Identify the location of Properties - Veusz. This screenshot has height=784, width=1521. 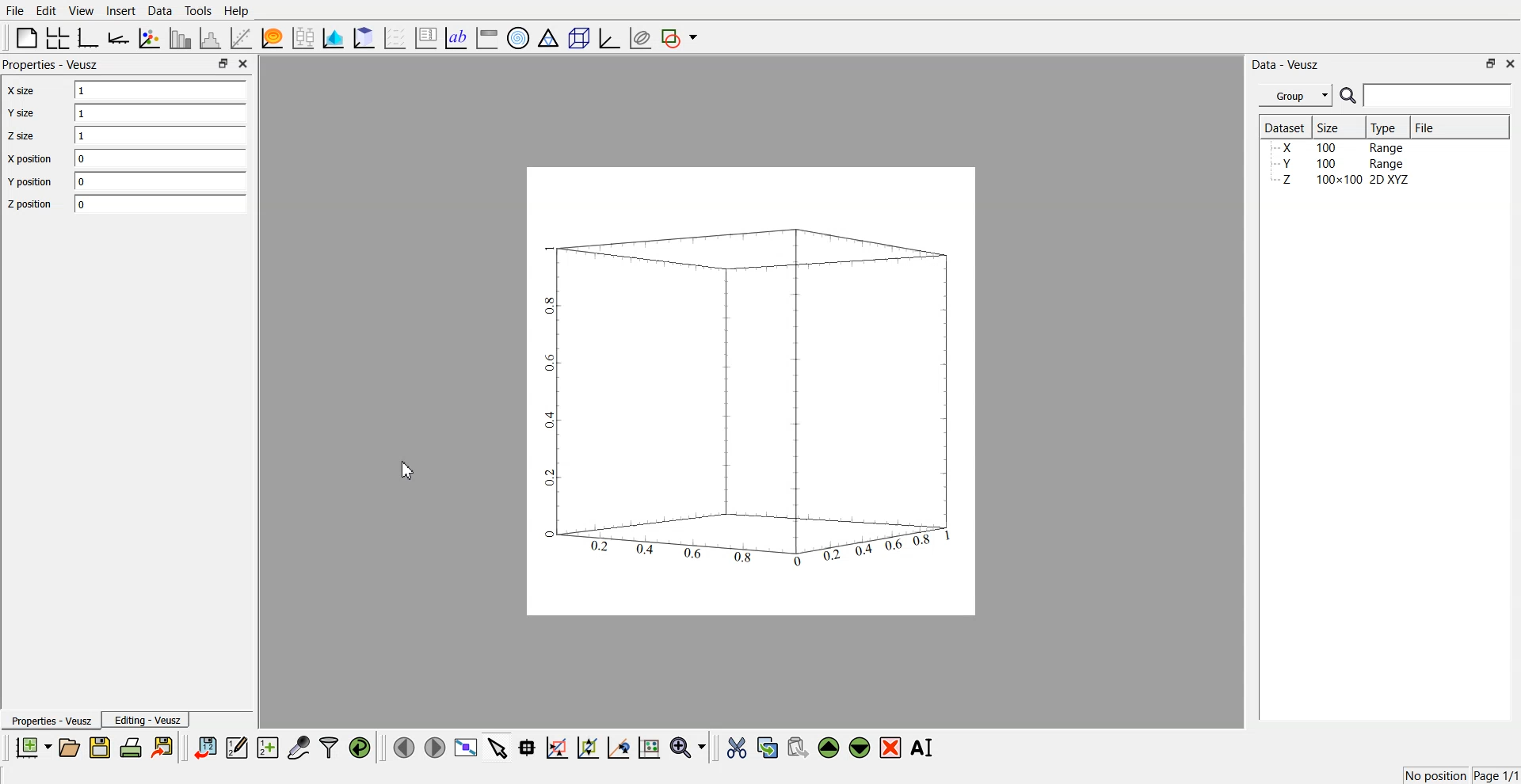
(50, 720).